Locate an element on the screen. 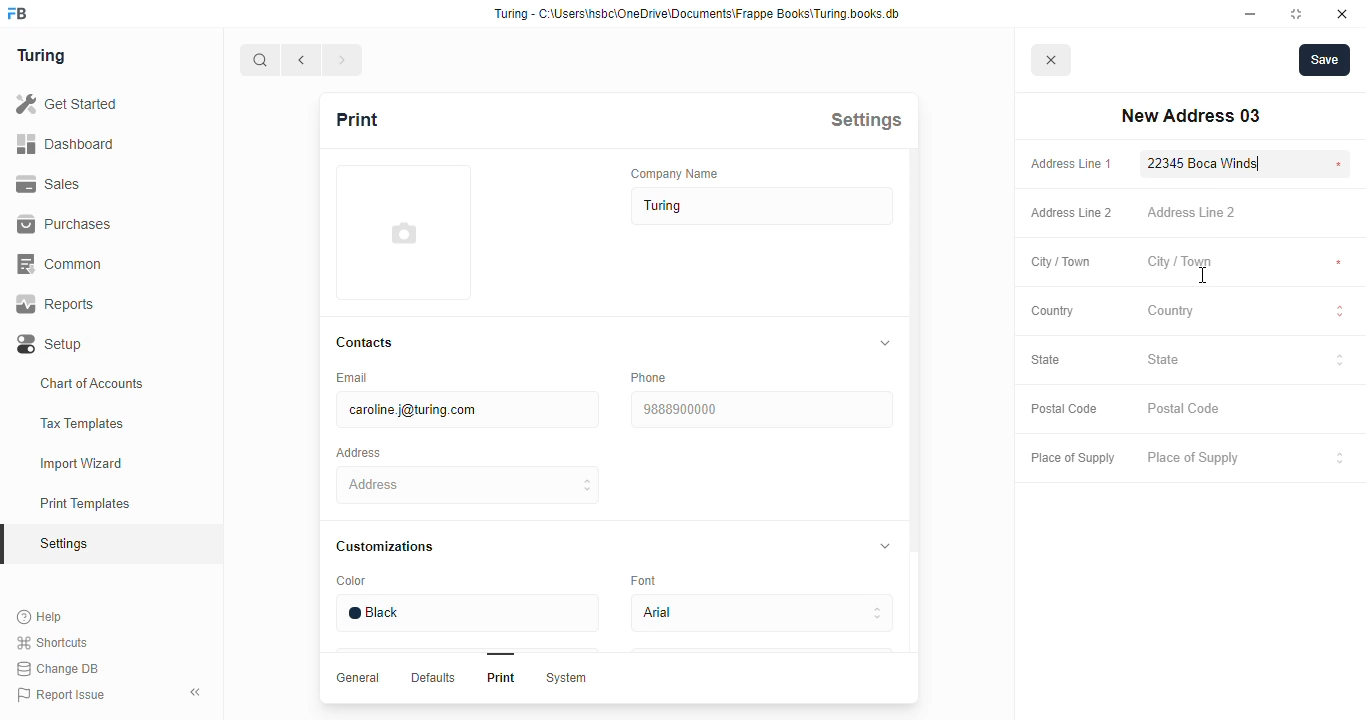 This screenshot has height=720, width=1366. email is located at coordinates (350, 377).